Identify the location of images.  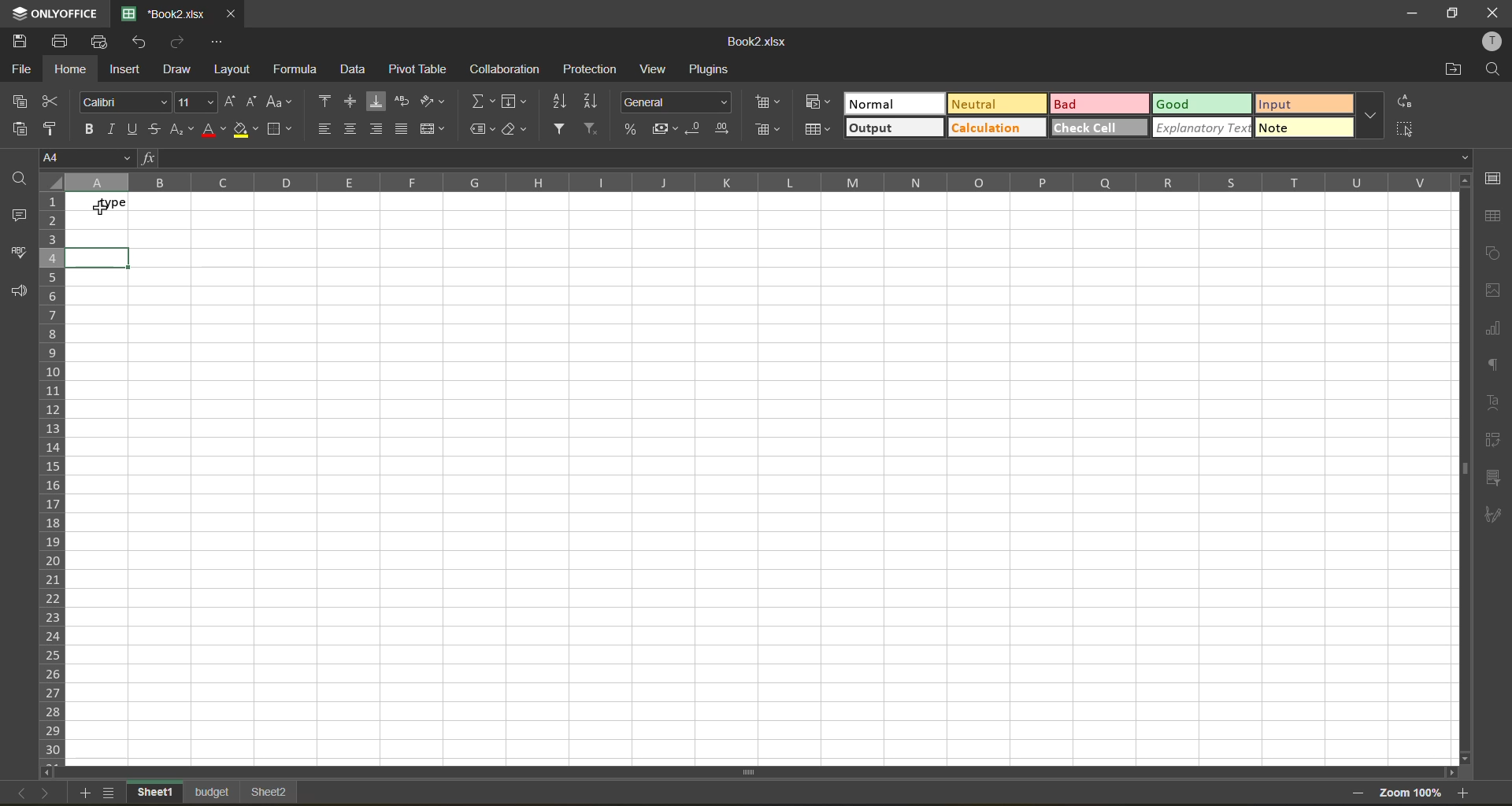
(1493, 292).